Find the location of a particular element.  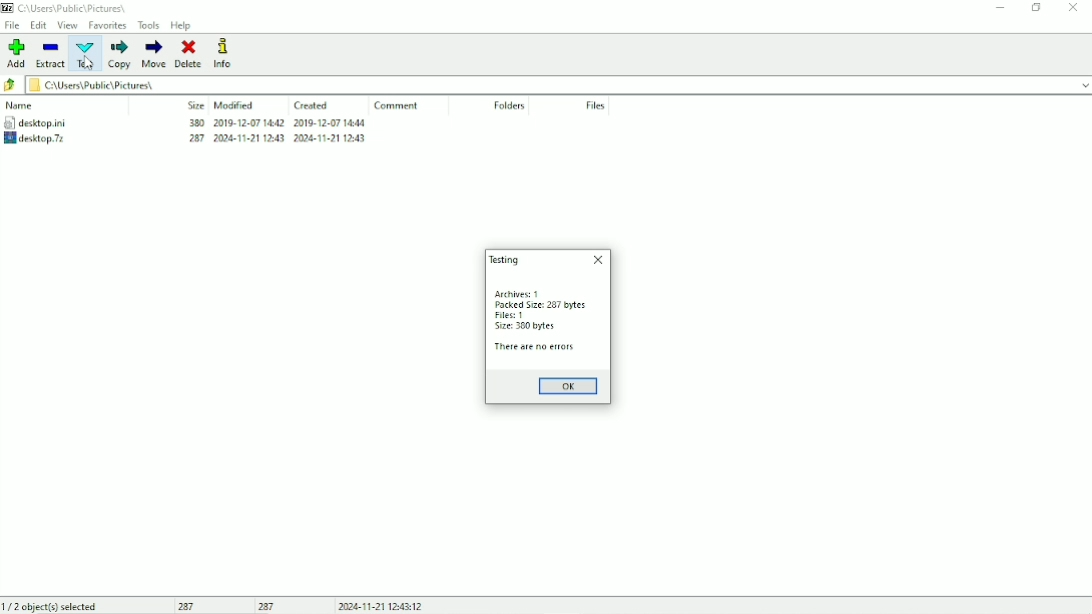

Packed Size is located at coordinates (518, 306).